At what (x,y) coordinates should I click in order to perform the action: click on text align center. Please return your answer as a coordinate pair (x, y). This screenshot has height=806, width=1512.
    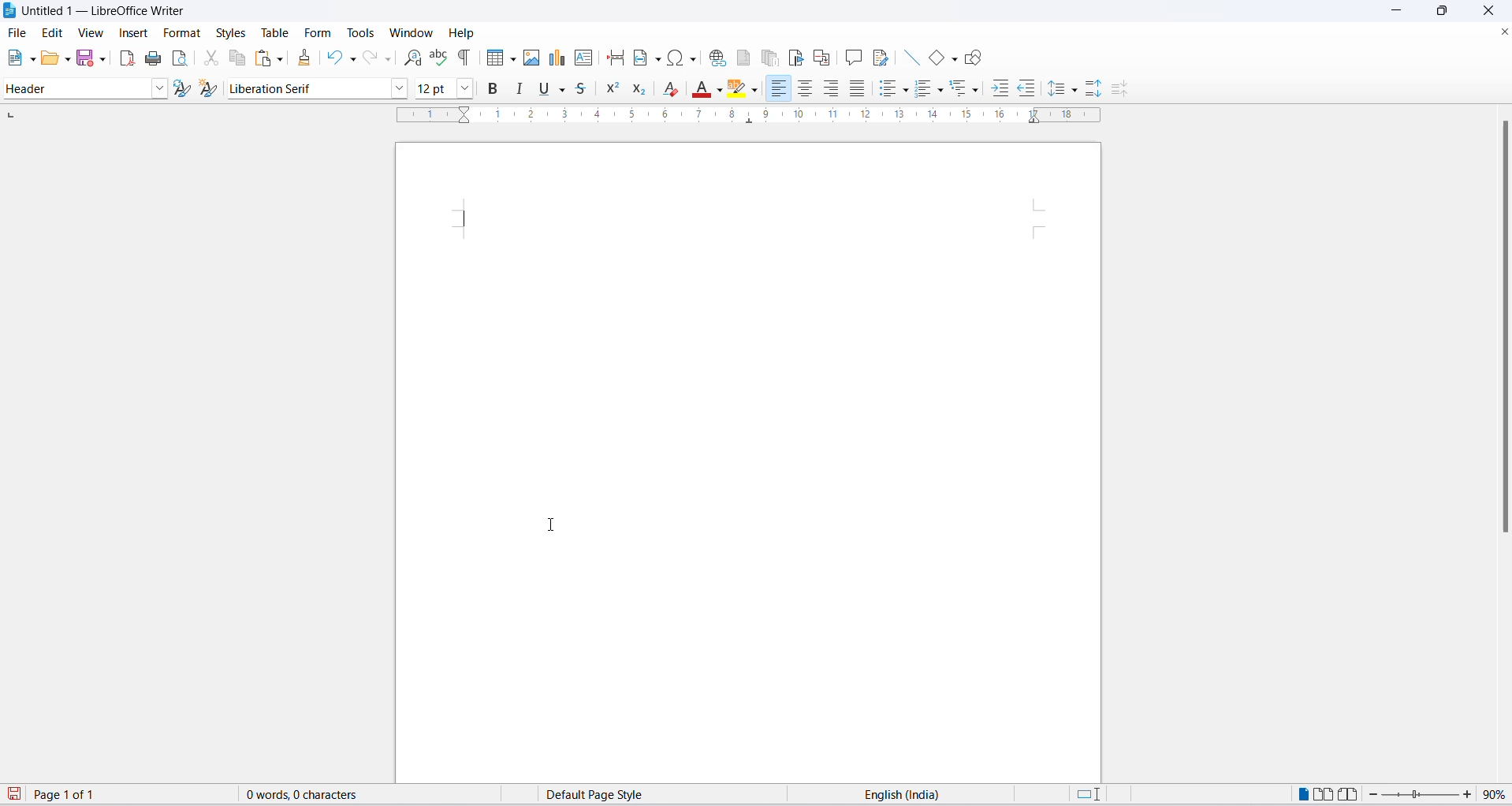
    Looking at the image, I should click on (809, 90).